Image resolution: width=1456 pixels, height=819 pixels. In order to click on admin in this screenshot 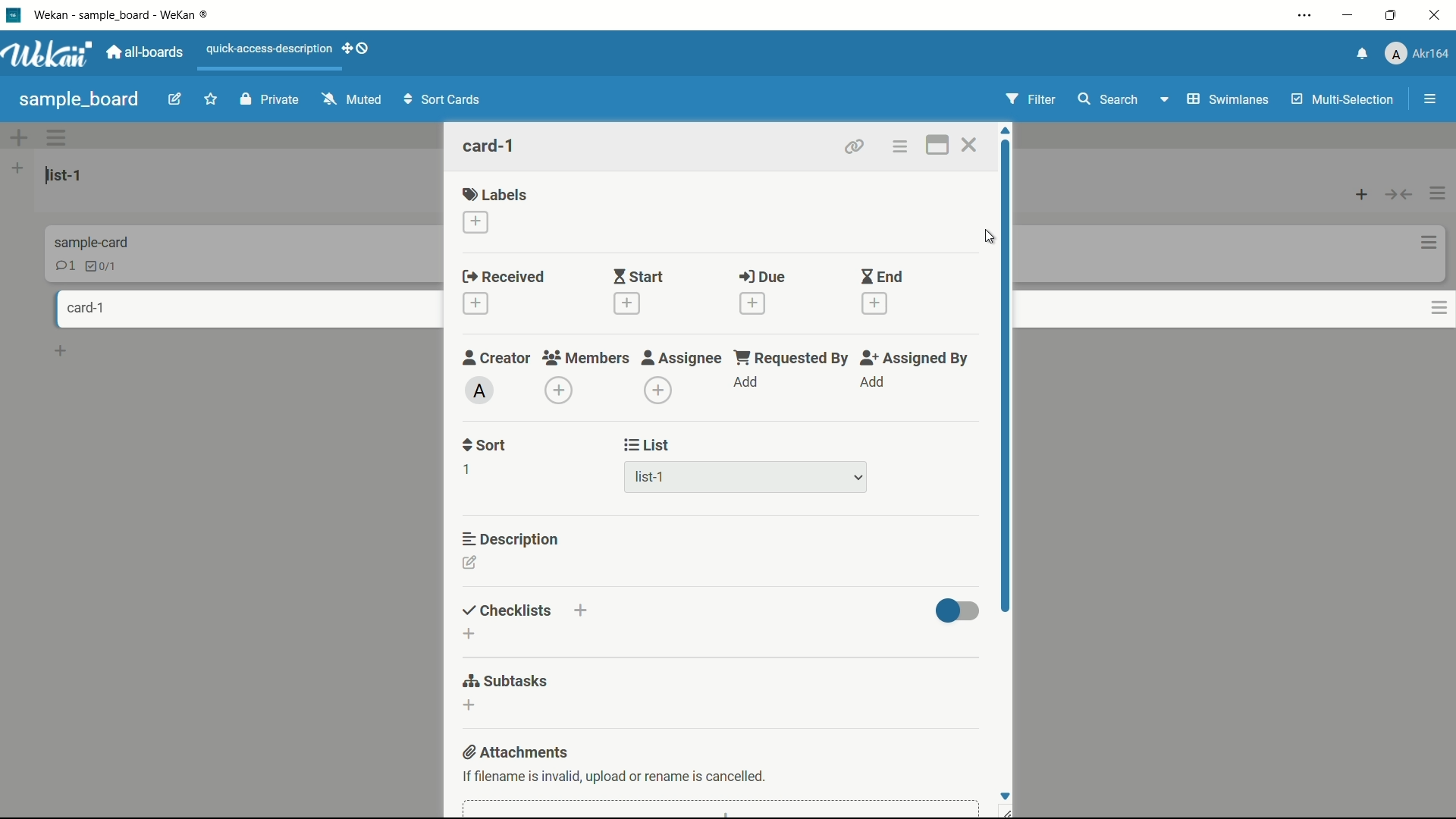, I will do `click(477, 391)`.